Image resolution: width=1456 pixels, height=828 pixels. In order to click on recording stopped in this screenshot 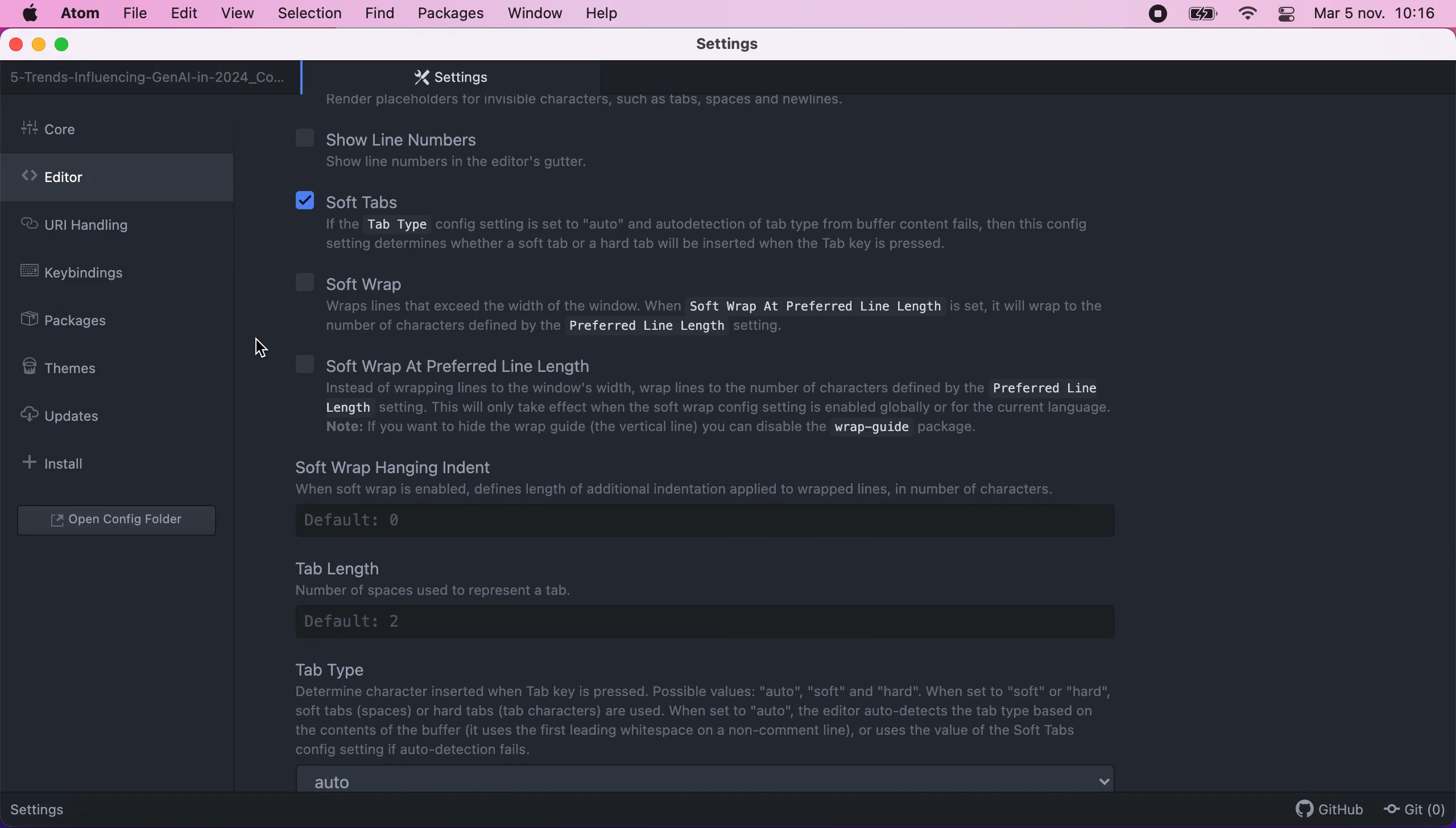, I will do `click(1156, 13)`.